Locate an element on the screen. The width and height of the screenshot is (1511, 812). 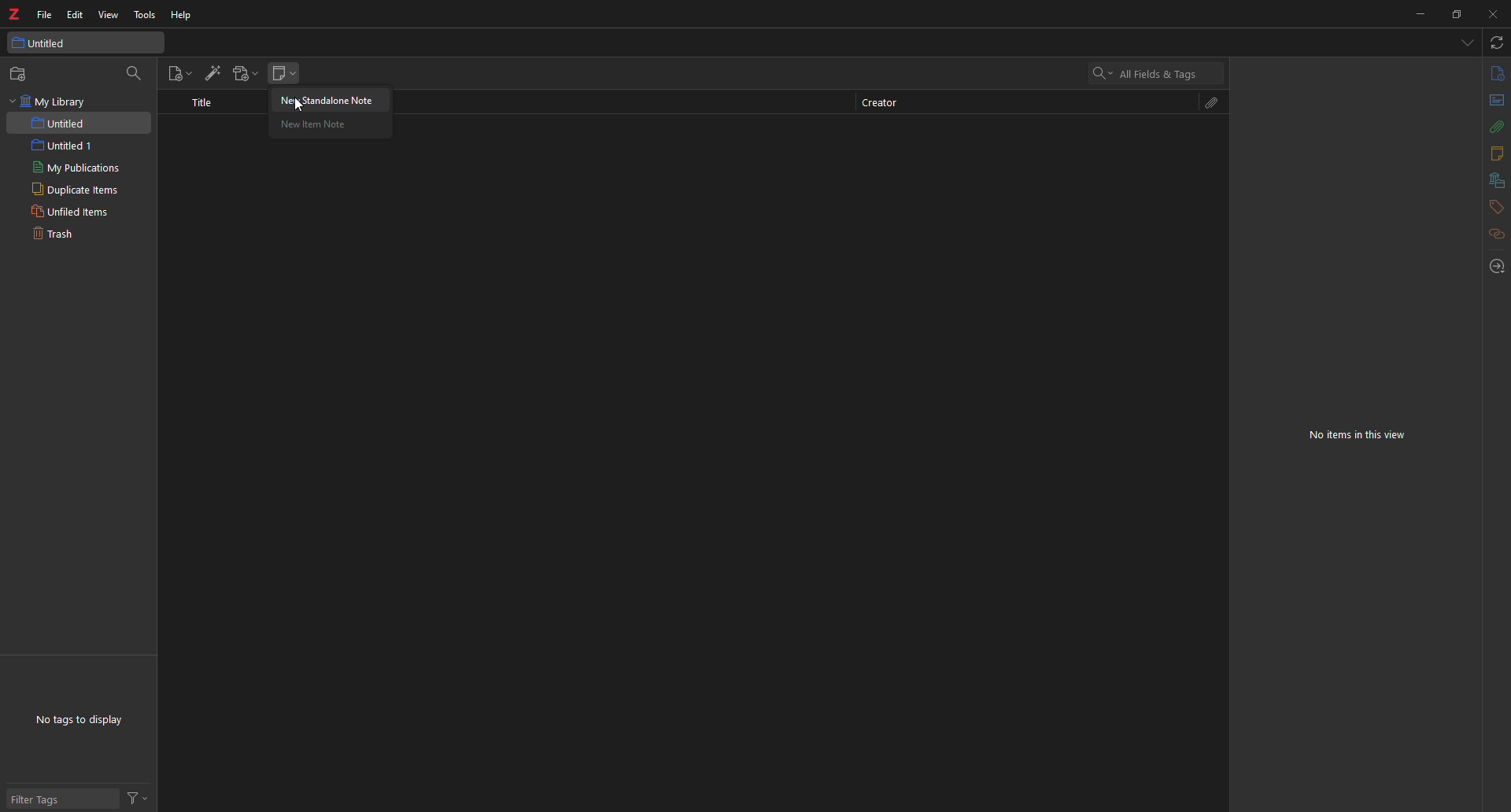
abstract is located at coordinates (1495, 101).